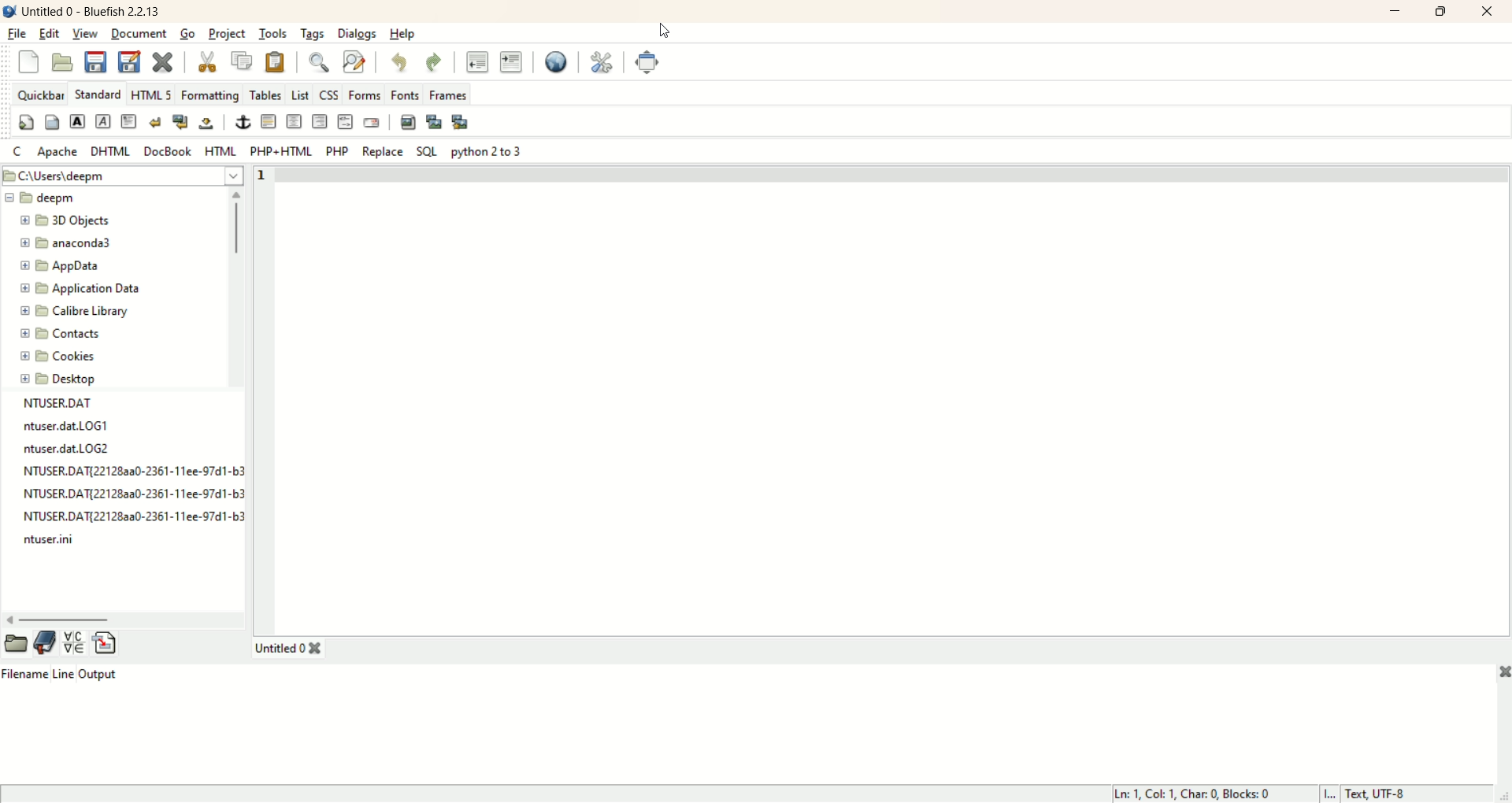 The image size is (1512, 803). What do you see at coordinates (19, 35) in the screenshot?
I see `file` at bounding box center [19, 35].